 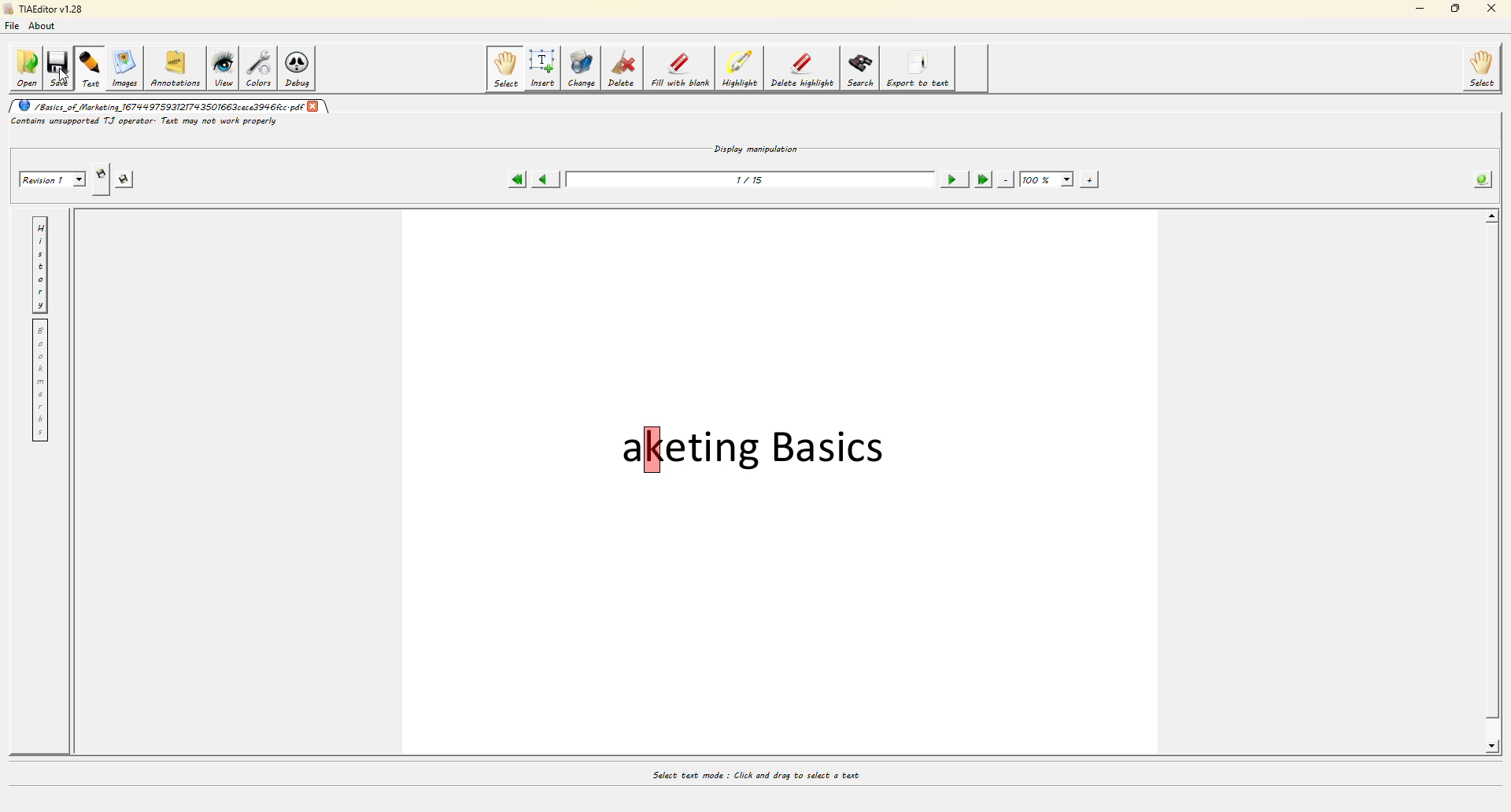 What do you see at coordinates (260, 68) in the screenshot?
I see `colors` at bounding box center [260, 68].